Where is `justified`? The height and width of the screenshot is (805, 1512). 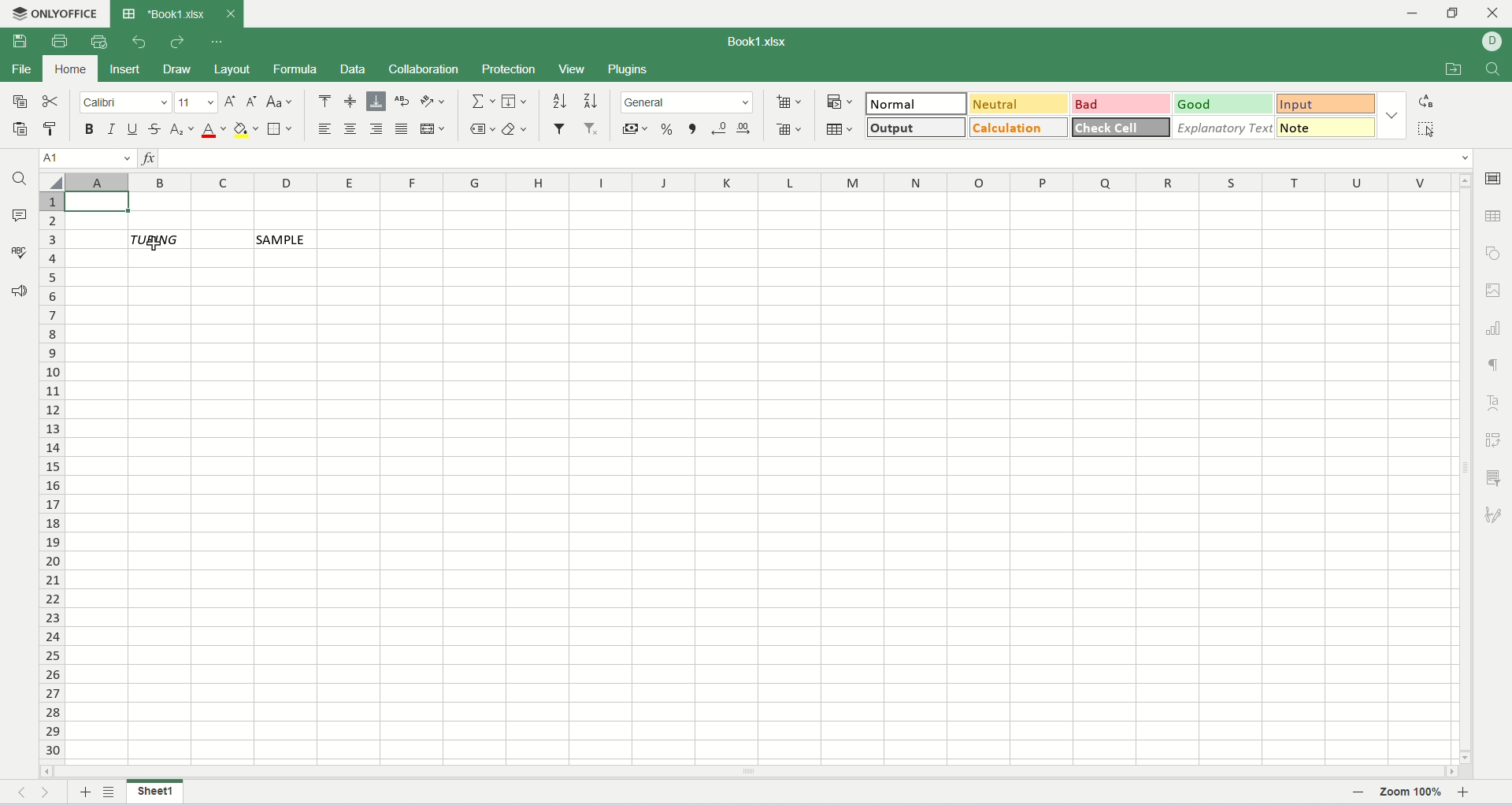
justified is located at coordinates (402, 128).